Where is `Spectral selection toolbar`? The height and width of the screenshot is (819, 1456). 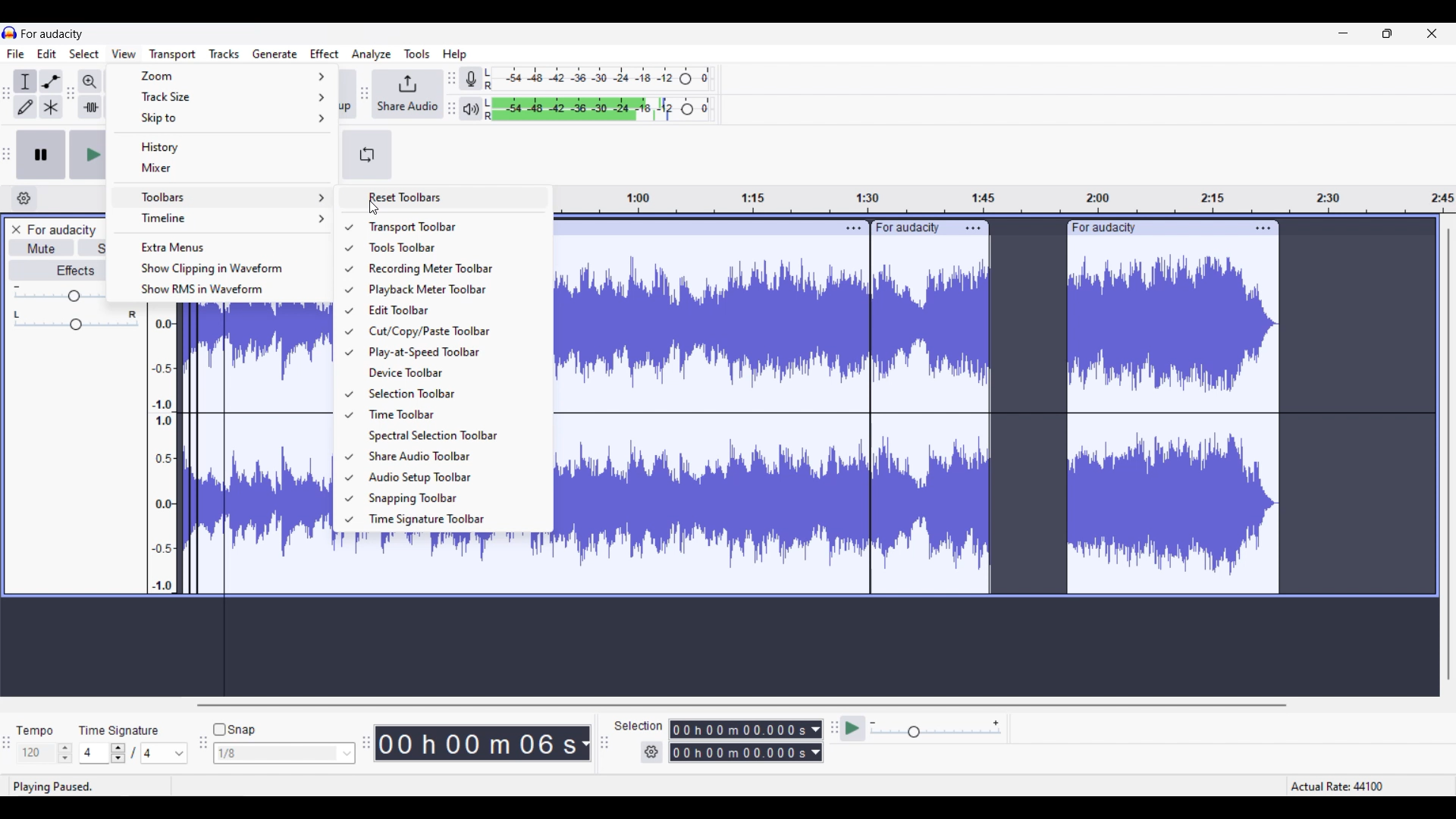 Spectral selection toolbar is located at coordinates (450, 436).